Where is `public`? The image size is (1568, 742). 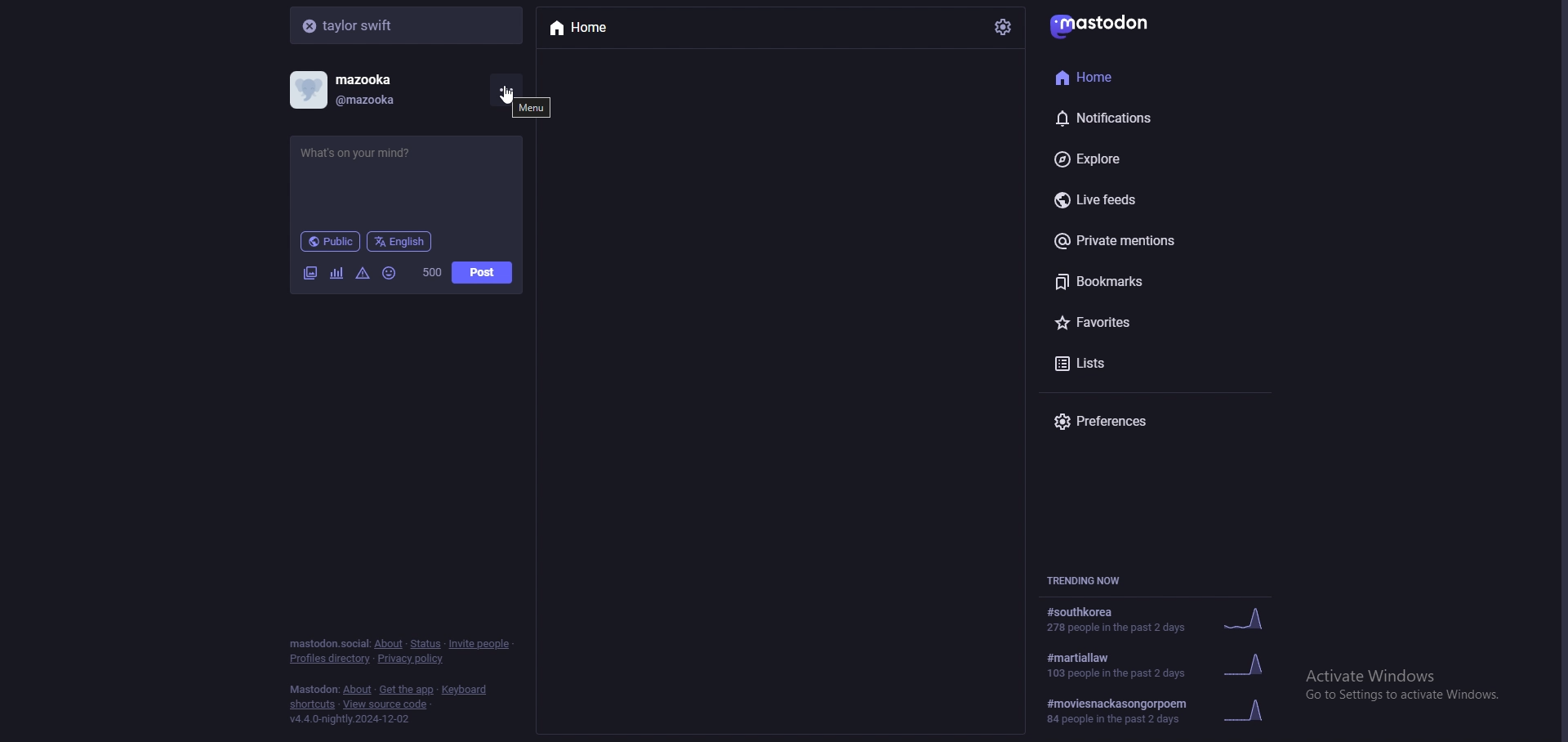 public is located at coordinates (332, 241).